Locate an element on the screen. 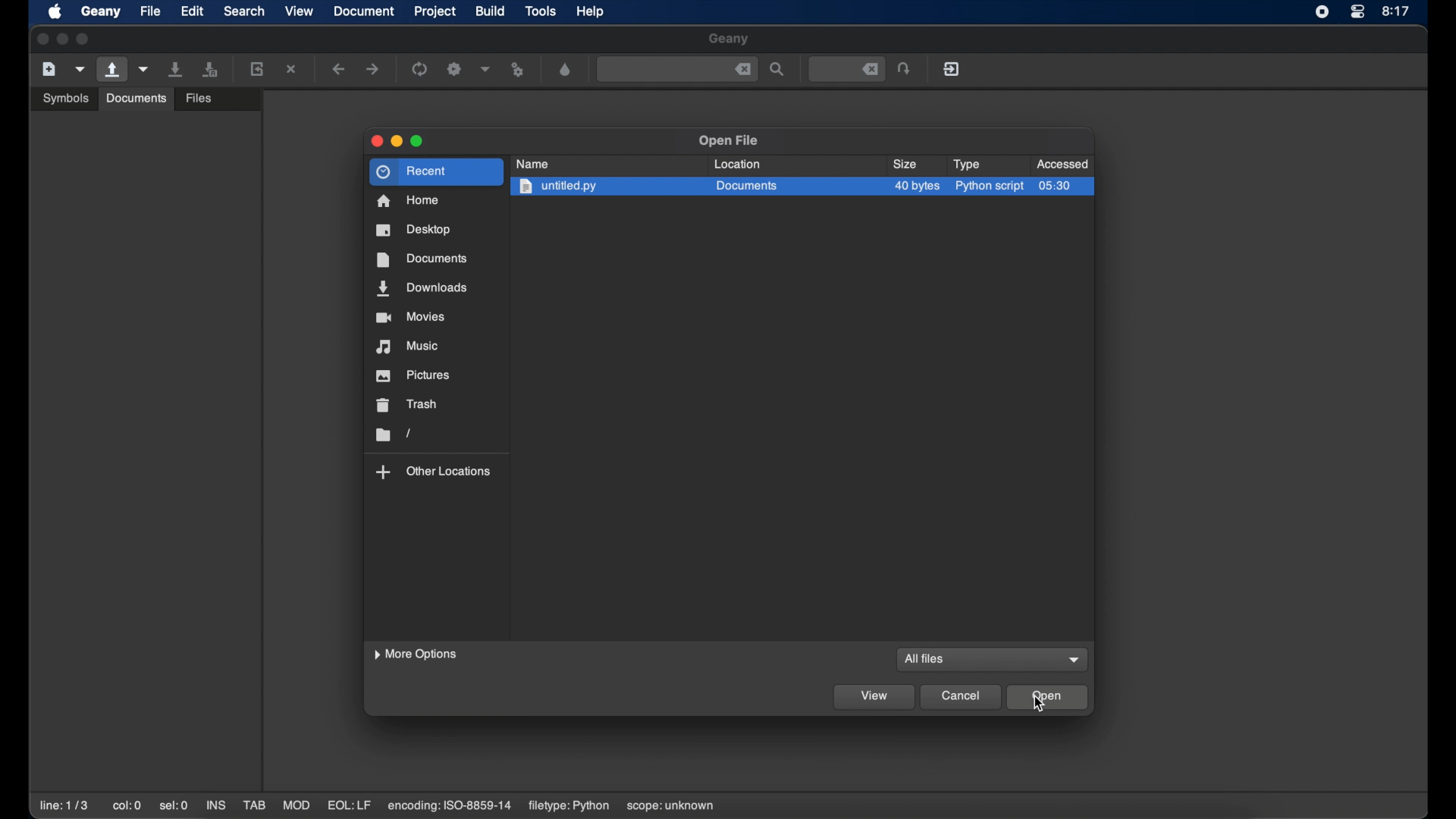 The height and width of the screenshot is (819, 1456). more options is located at coordinates (415, 654).